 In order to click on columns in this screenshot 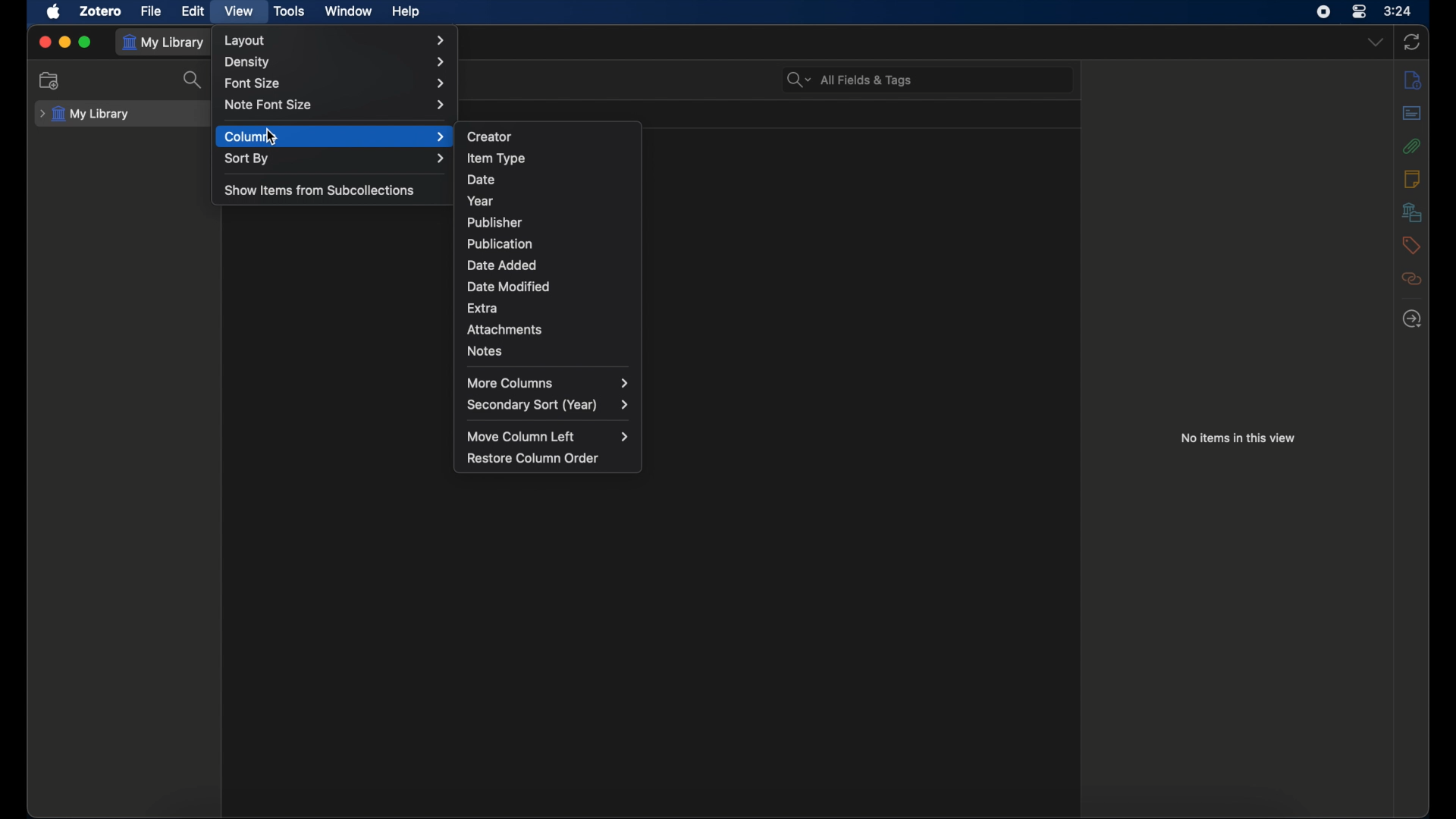, I will do `click(335, 137)`.